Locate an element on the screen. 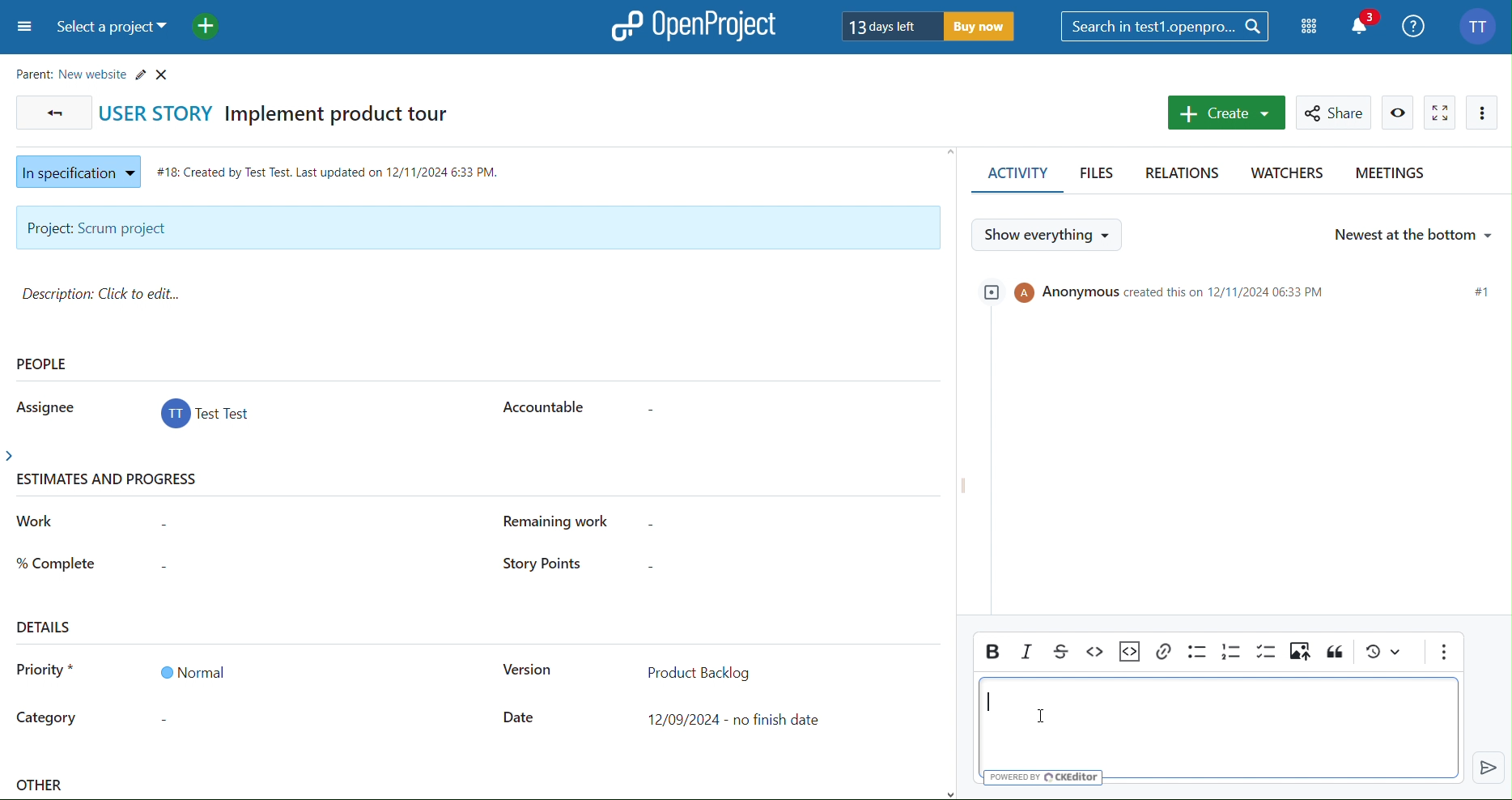 This screenshot has width=1512, height=800. ( @ Anonymous created this on 12/11/2024 06:33 PM is located at coordinates (1159, 291).